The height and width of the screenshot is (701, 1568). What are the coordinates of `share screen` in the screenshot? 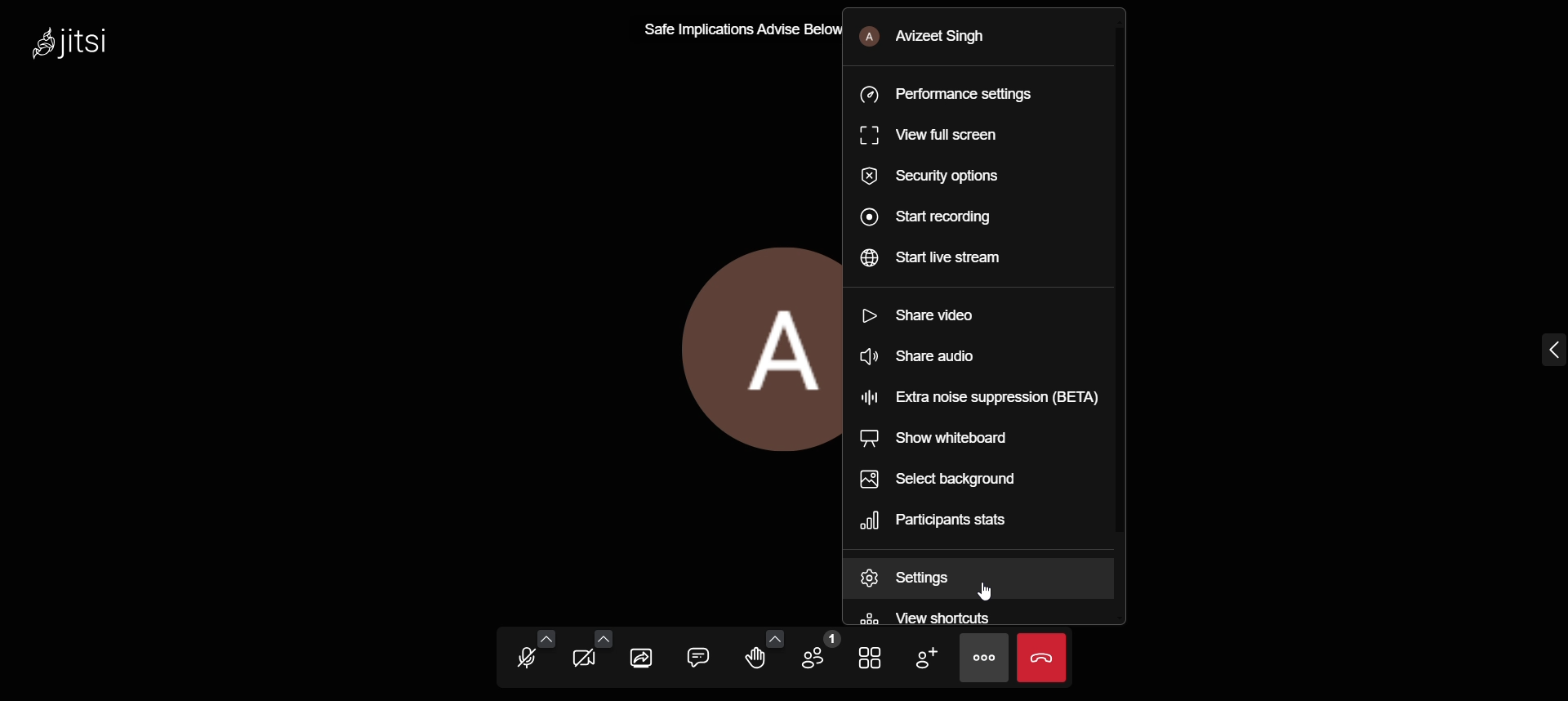 It's located at (643, 658).